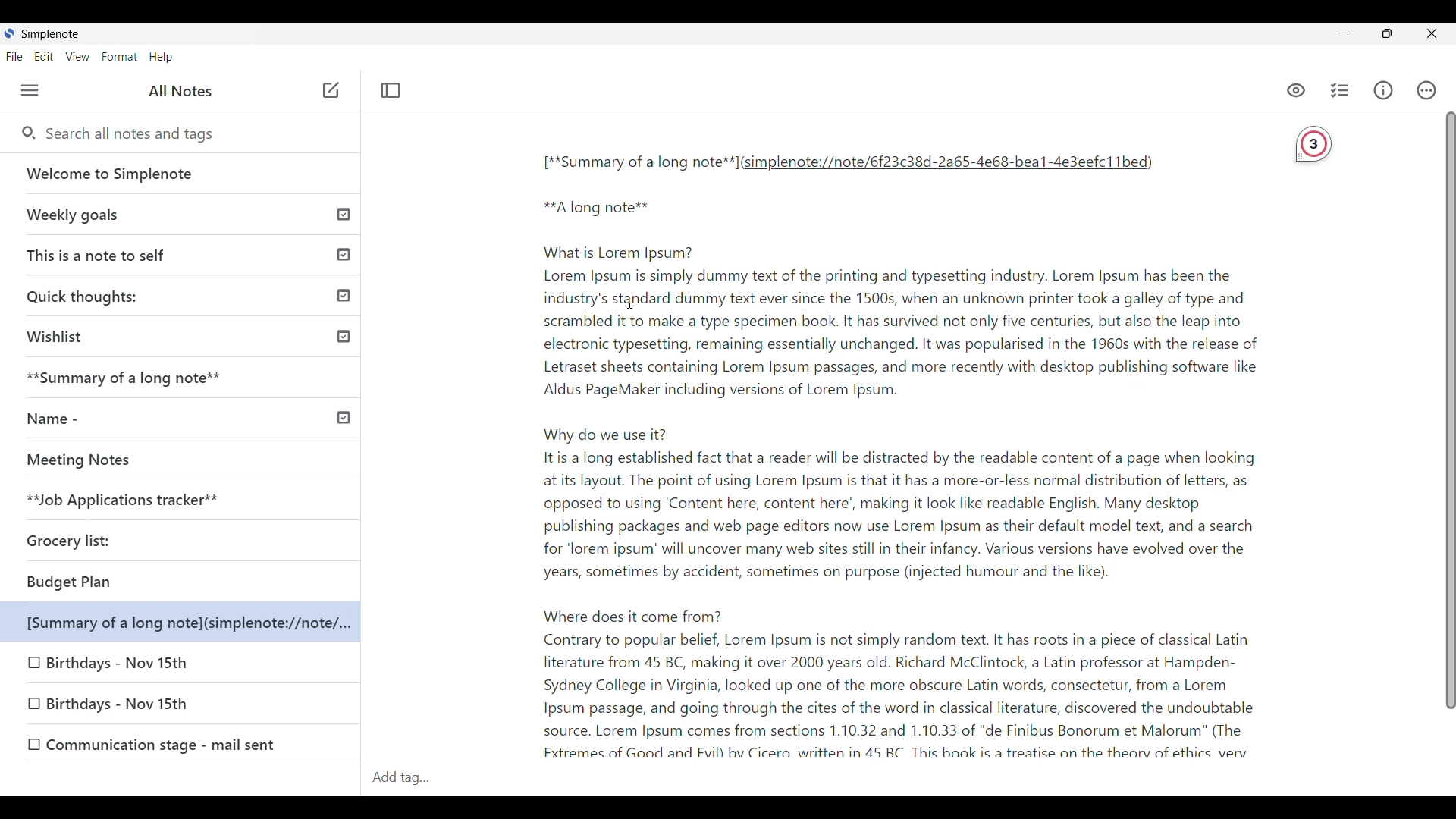 This screenshot has width=1456, height=819. Describe the element at coordinates (184, 335) in the screenshot. I see `Wishlist` at that location.